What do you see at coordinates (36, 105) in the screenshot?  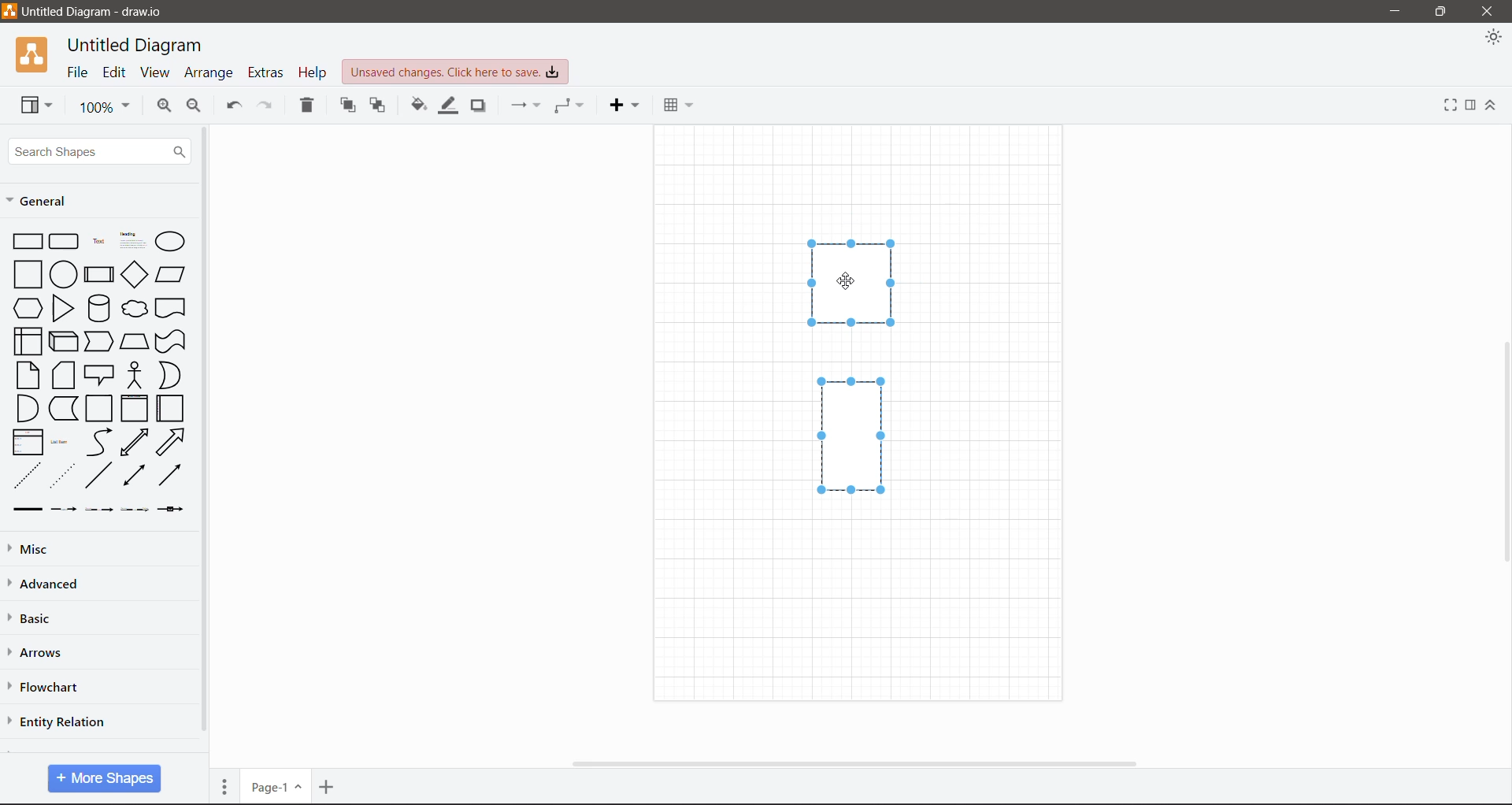 I see `View` at bounding box center [36, 105].